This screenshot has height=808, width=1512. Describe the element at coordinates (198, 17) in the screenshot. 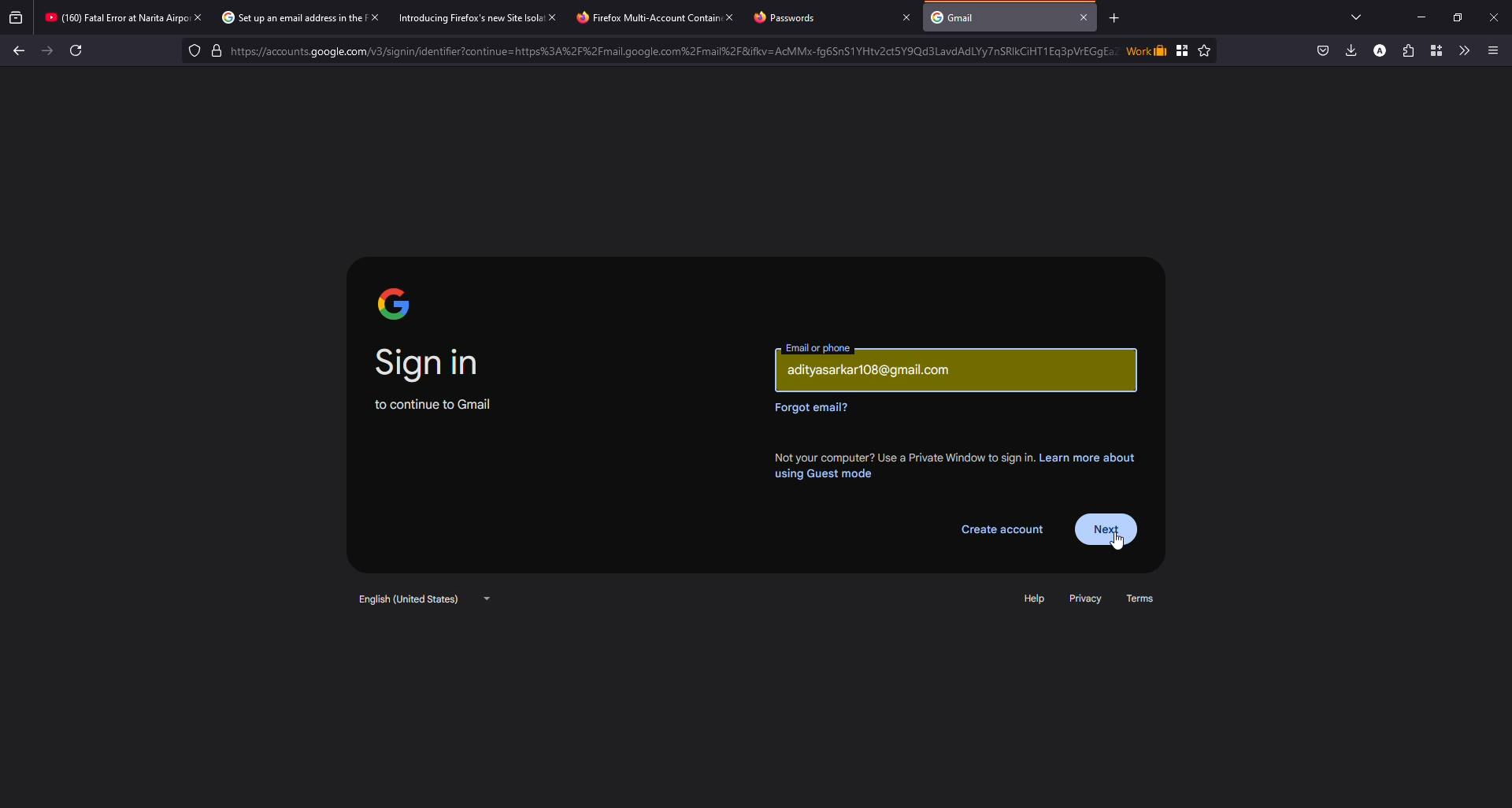

I see `close` at that location.